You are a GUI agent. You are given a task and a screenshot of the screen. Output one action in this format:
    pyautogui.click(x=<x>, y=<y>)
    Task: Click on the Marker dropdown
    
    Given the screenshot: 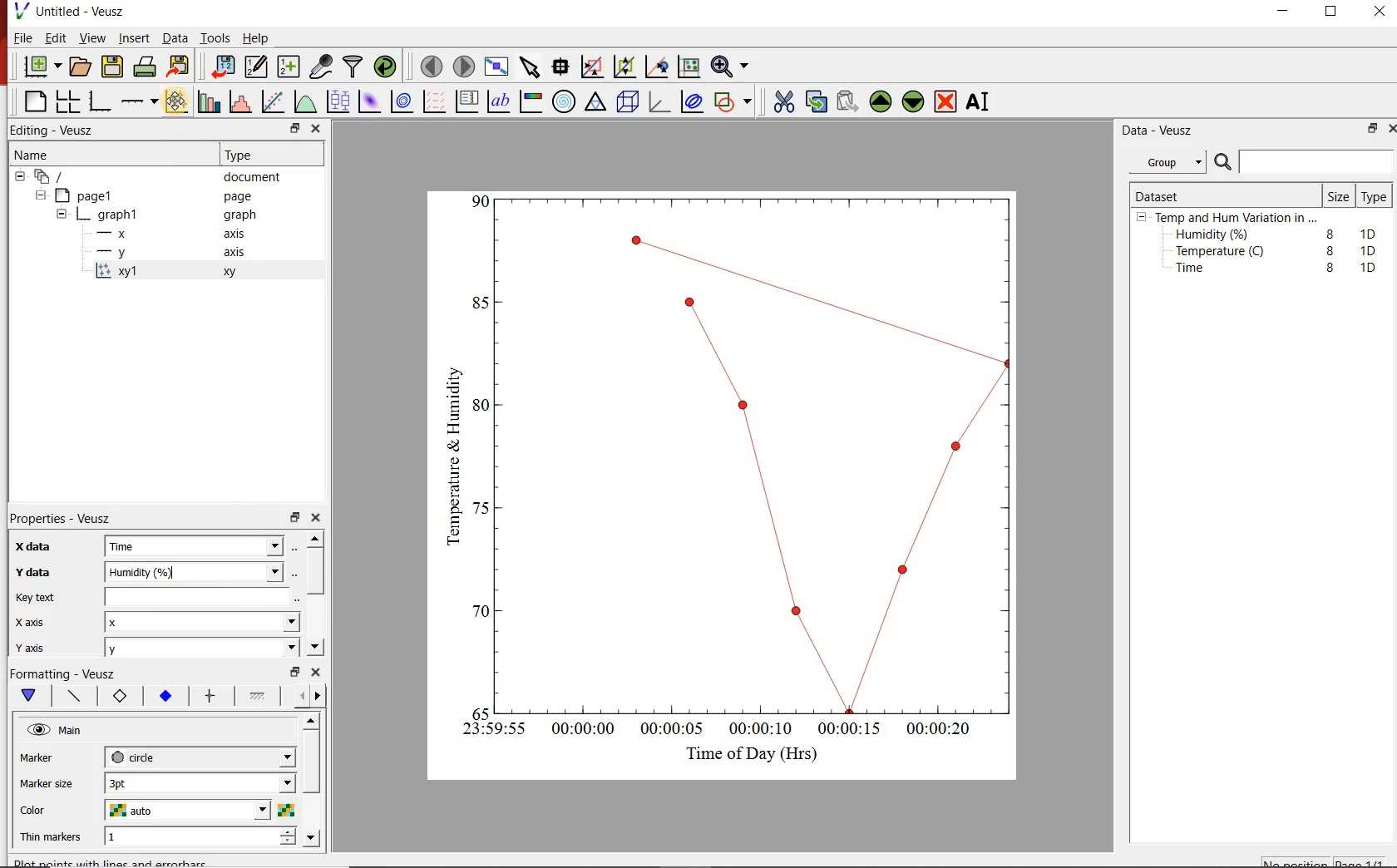 What is the action you would take?
    pyautogui.click(x=262, y=757)
    